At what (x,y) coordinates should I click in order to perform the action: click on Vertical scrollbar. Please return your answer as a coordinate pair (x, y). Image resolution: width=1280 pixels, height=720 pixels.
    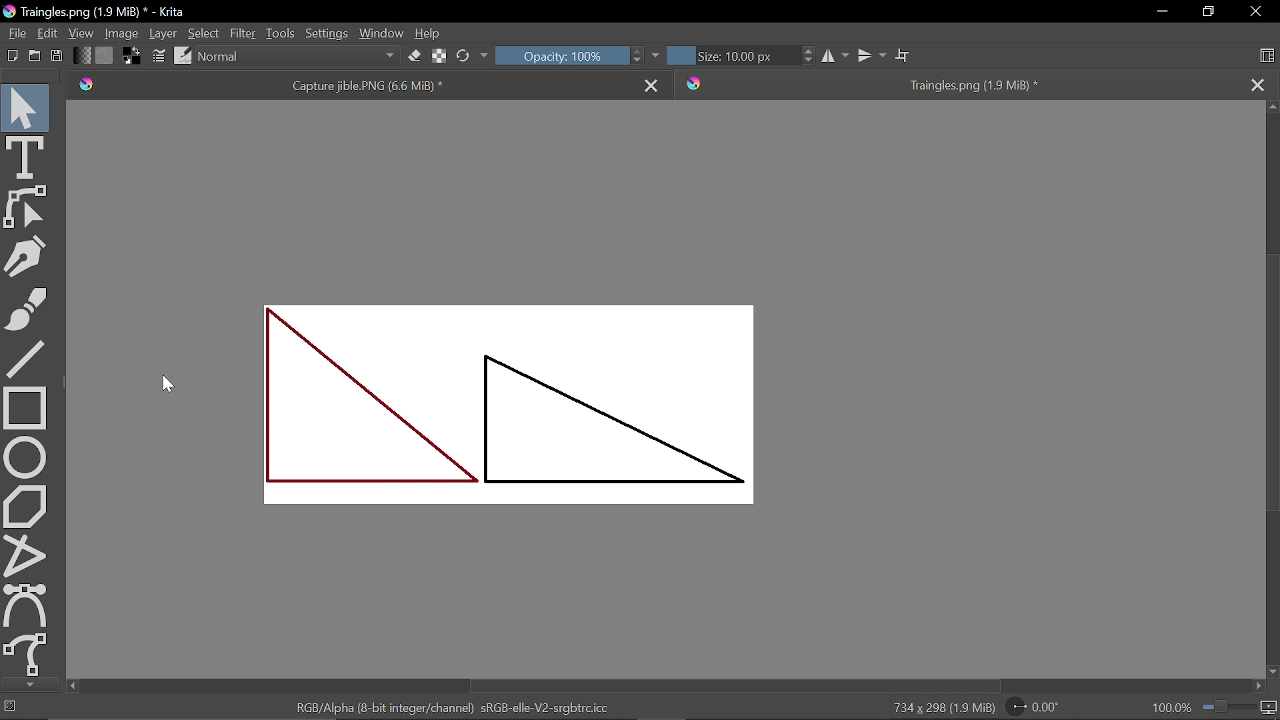
    Looking at the image, I should click on (1270, 384).